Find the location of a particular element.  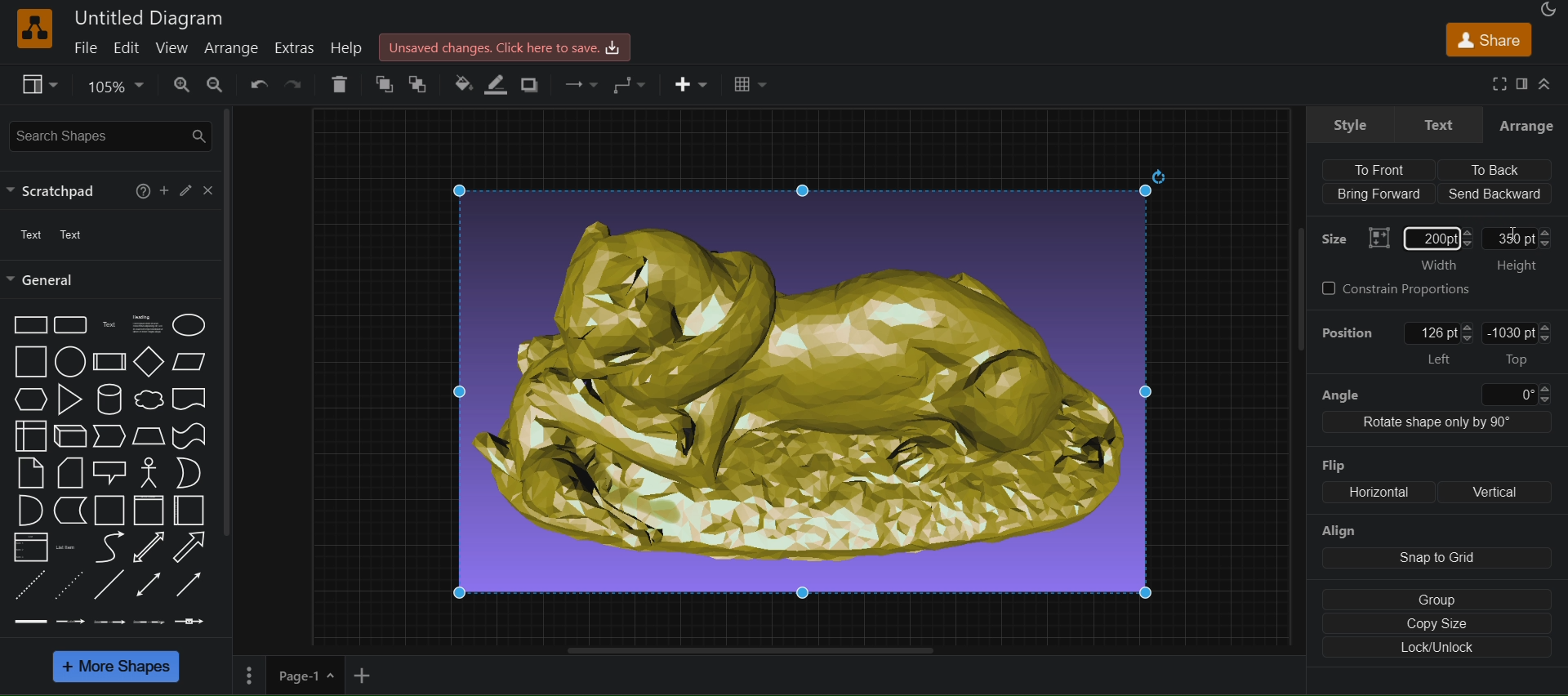

to back is located at coordinates (417, 86).